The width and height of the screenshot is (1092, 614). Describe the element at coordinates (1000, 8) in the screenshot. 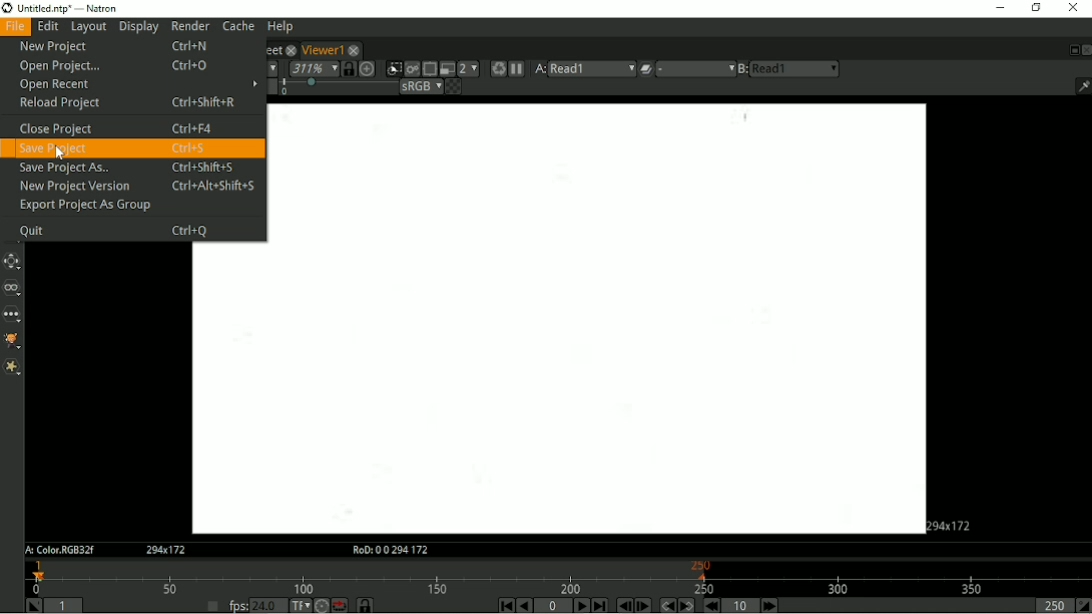

I see `Minimize` at that location.